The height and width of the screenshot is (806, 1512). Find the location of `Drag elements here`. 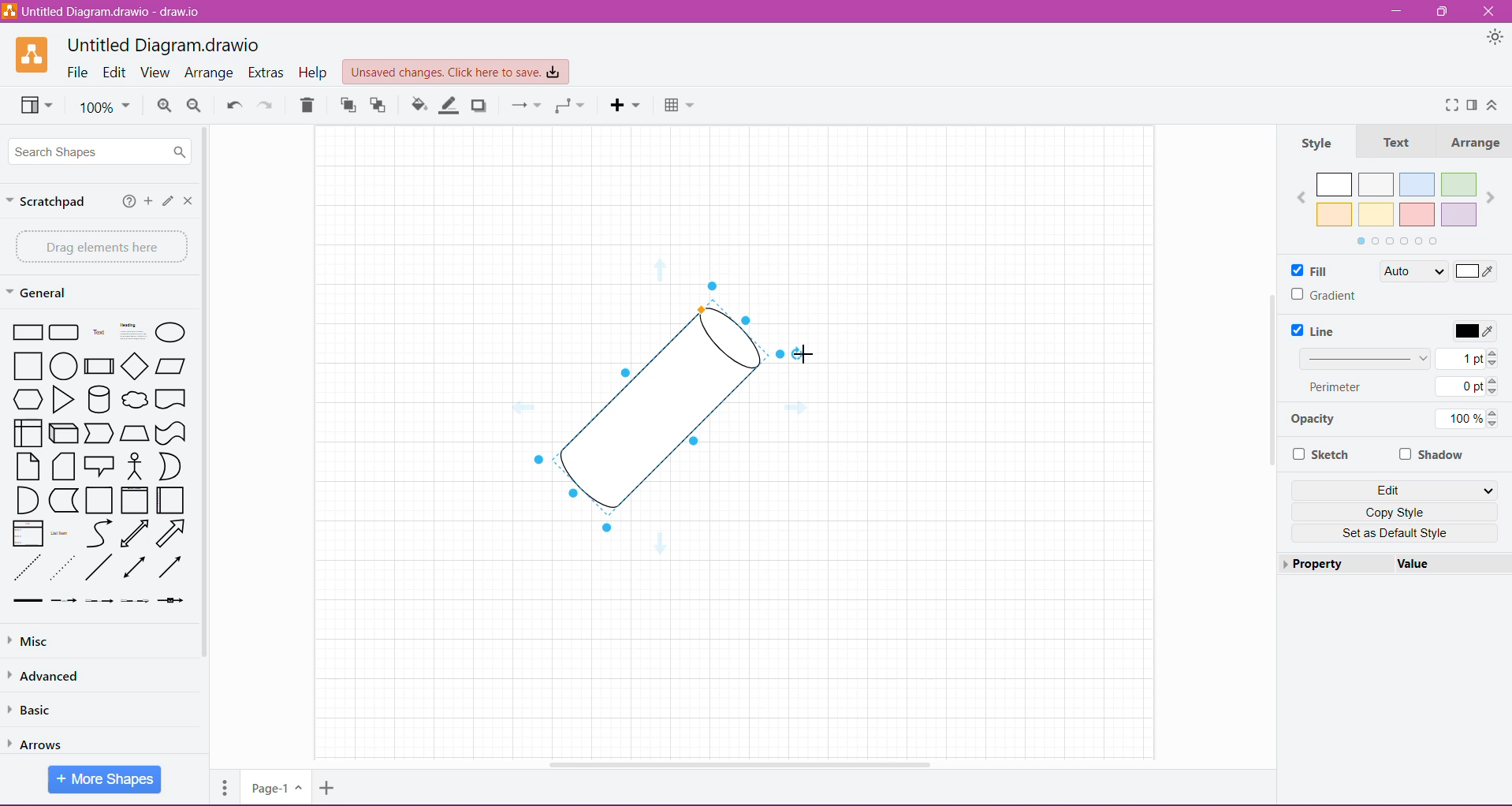

Drag elements here is located at coordinates (98, 246).